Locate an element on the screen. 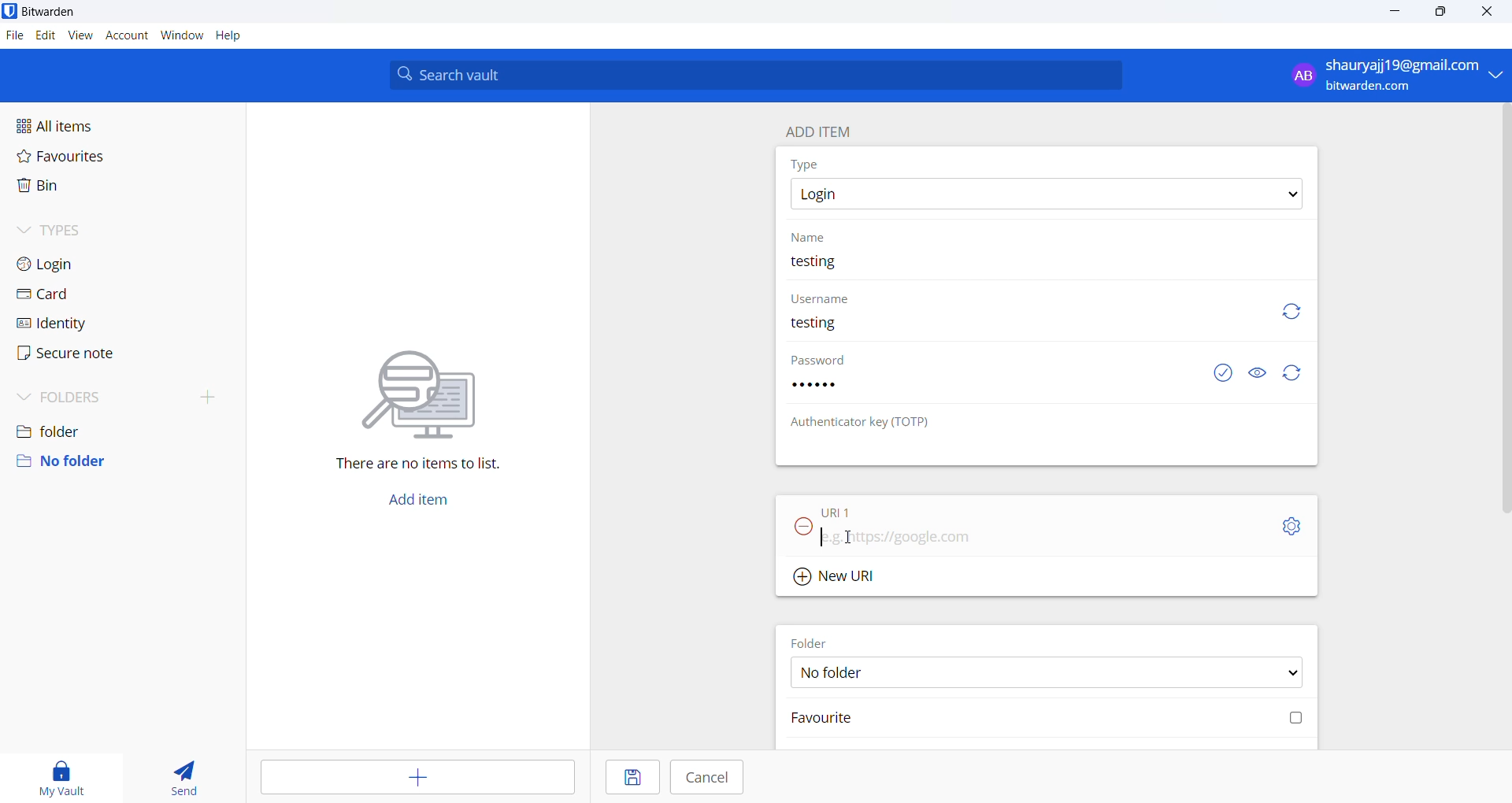 This screenshot has height=803, width=1512. remove URL is located at coordinates (804, 527).